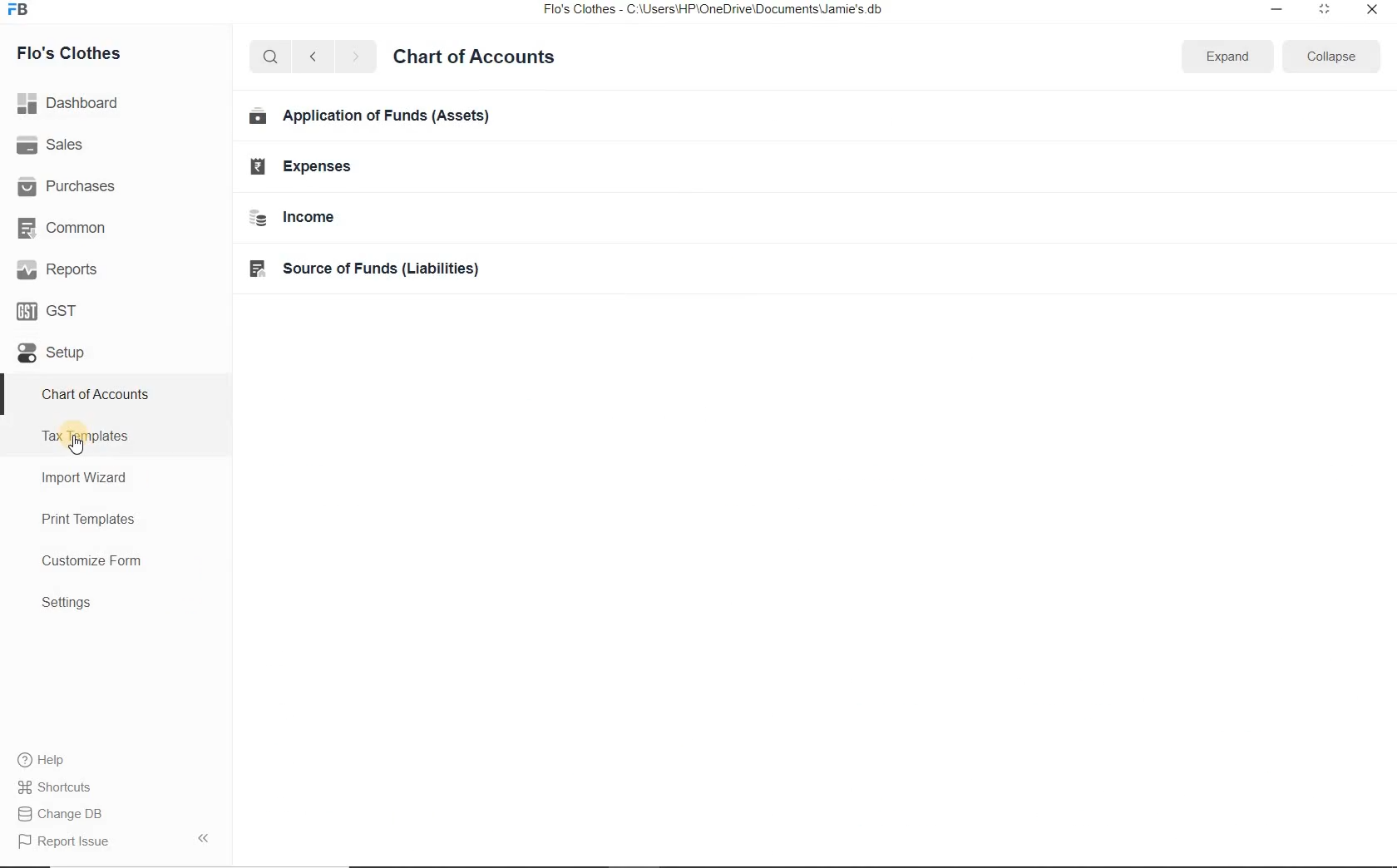  Describe the element at coordinates (116, 103) in the screenshot. I see `Dashboard` at that location.